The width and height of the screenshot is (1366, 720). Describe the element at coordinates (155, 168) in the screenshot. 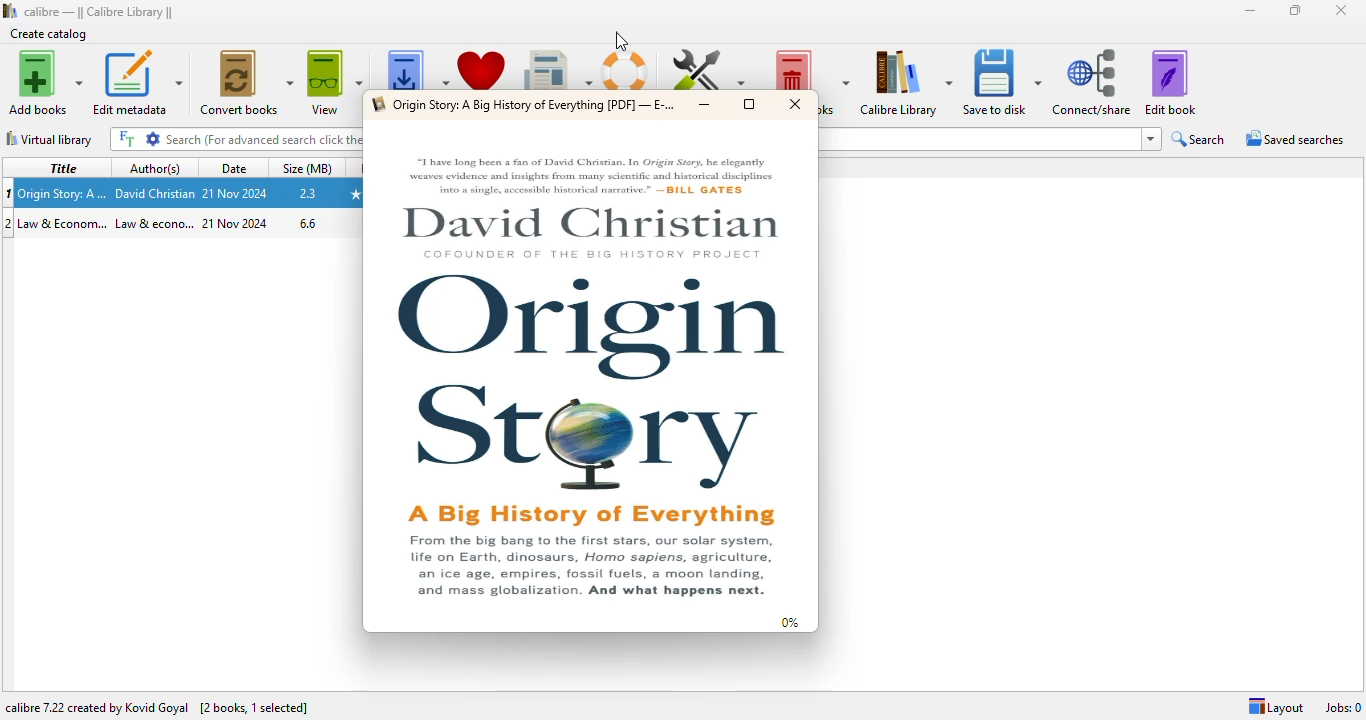

I see `author(s)` at that location.